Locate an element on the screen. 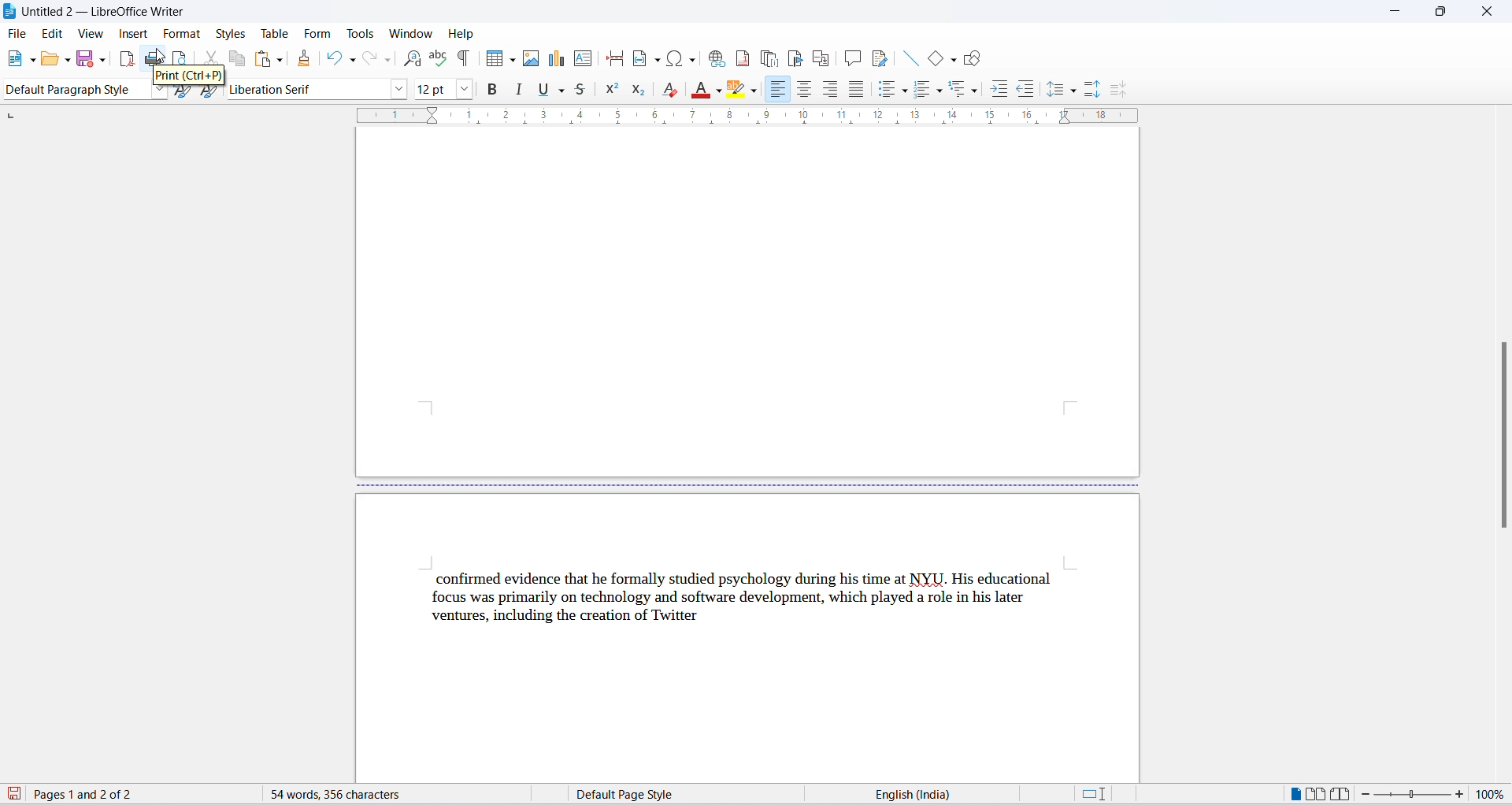 The image size is (1512, 805). font color options is located at coordinates (718, 88).